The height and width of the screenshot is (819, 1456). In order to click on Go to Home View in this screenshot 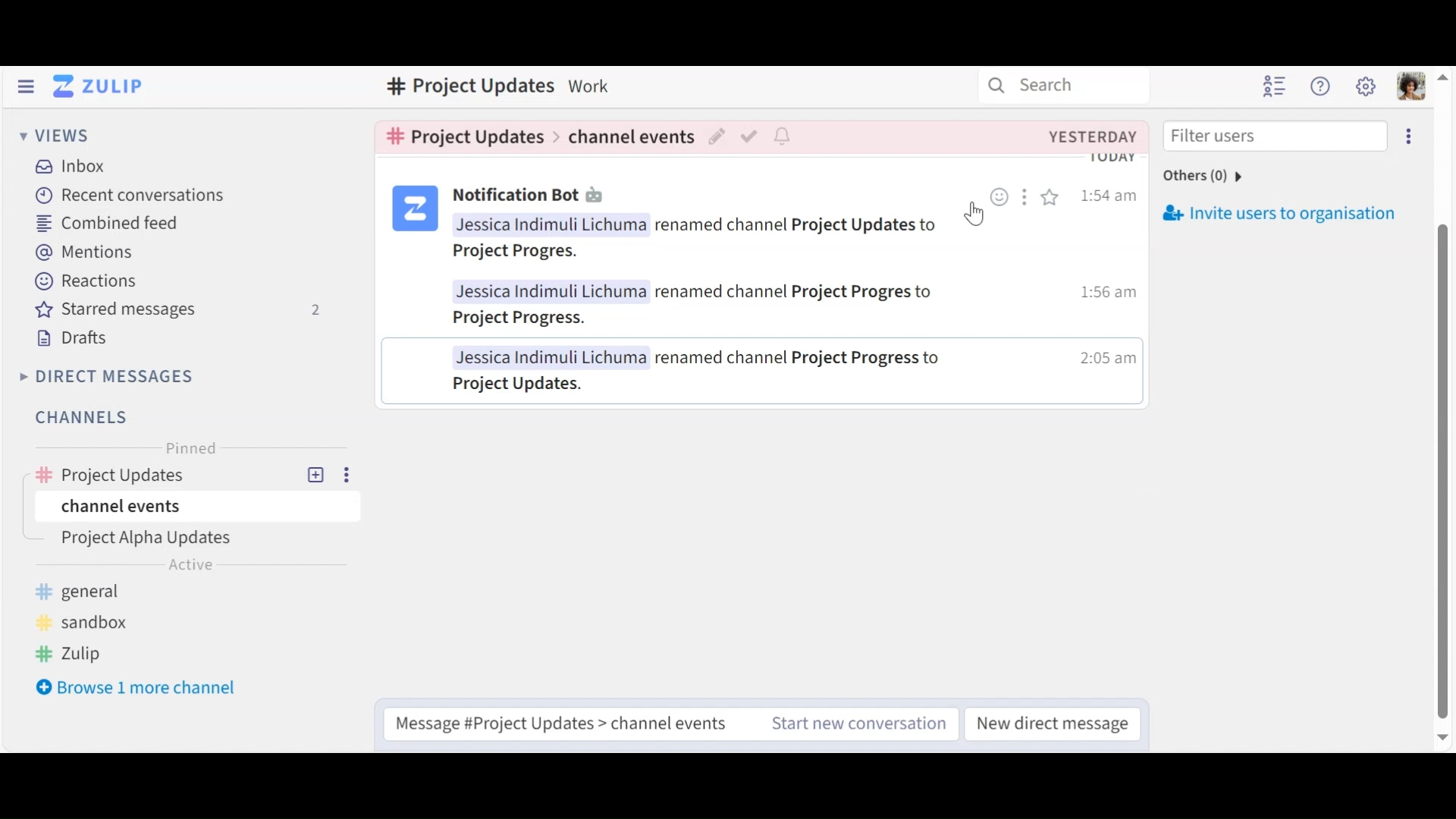, I will do `click(102, 86)`.